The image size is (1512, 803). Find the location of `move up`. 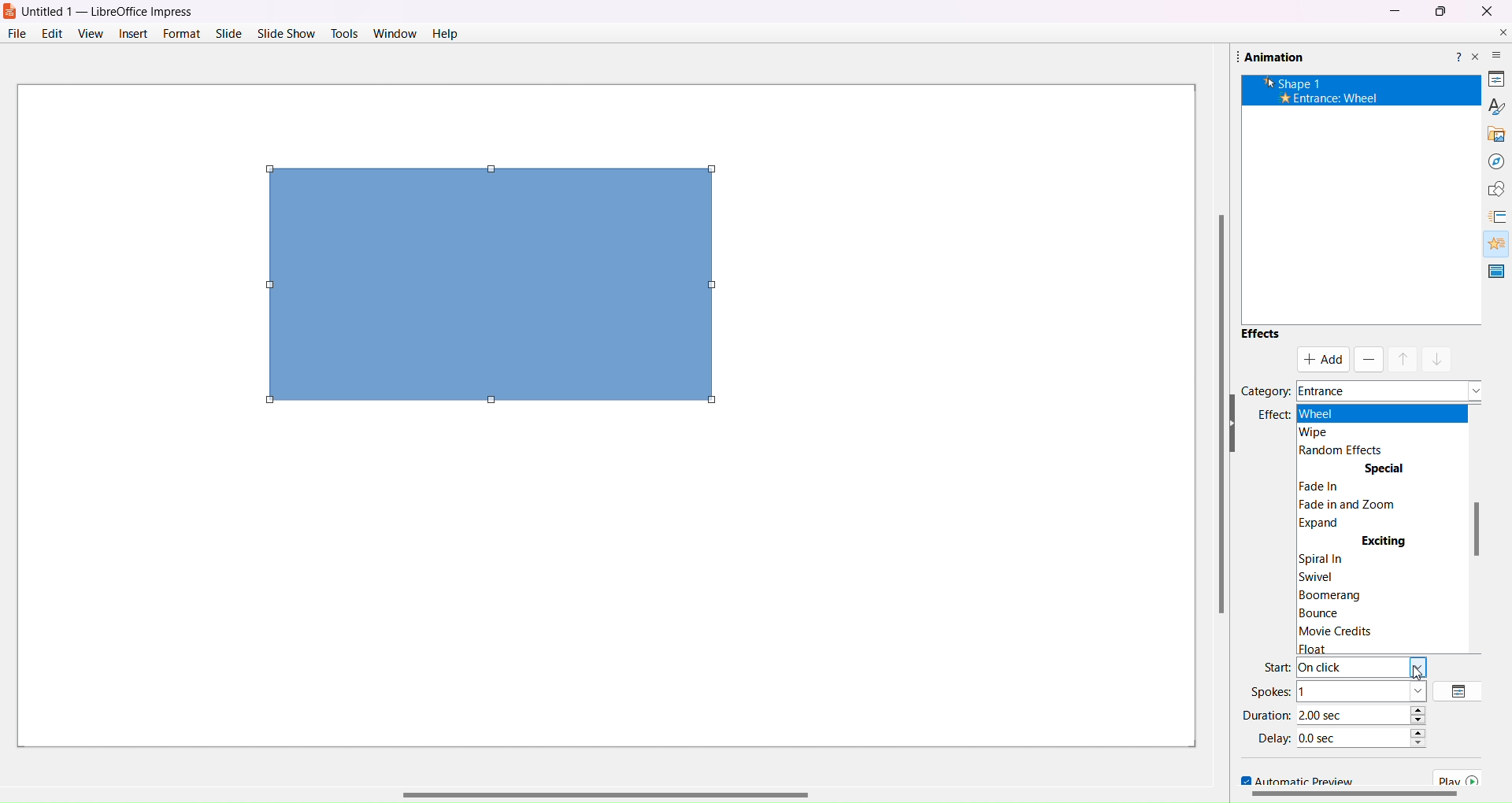

move up is located at coordinates (1403, 359).